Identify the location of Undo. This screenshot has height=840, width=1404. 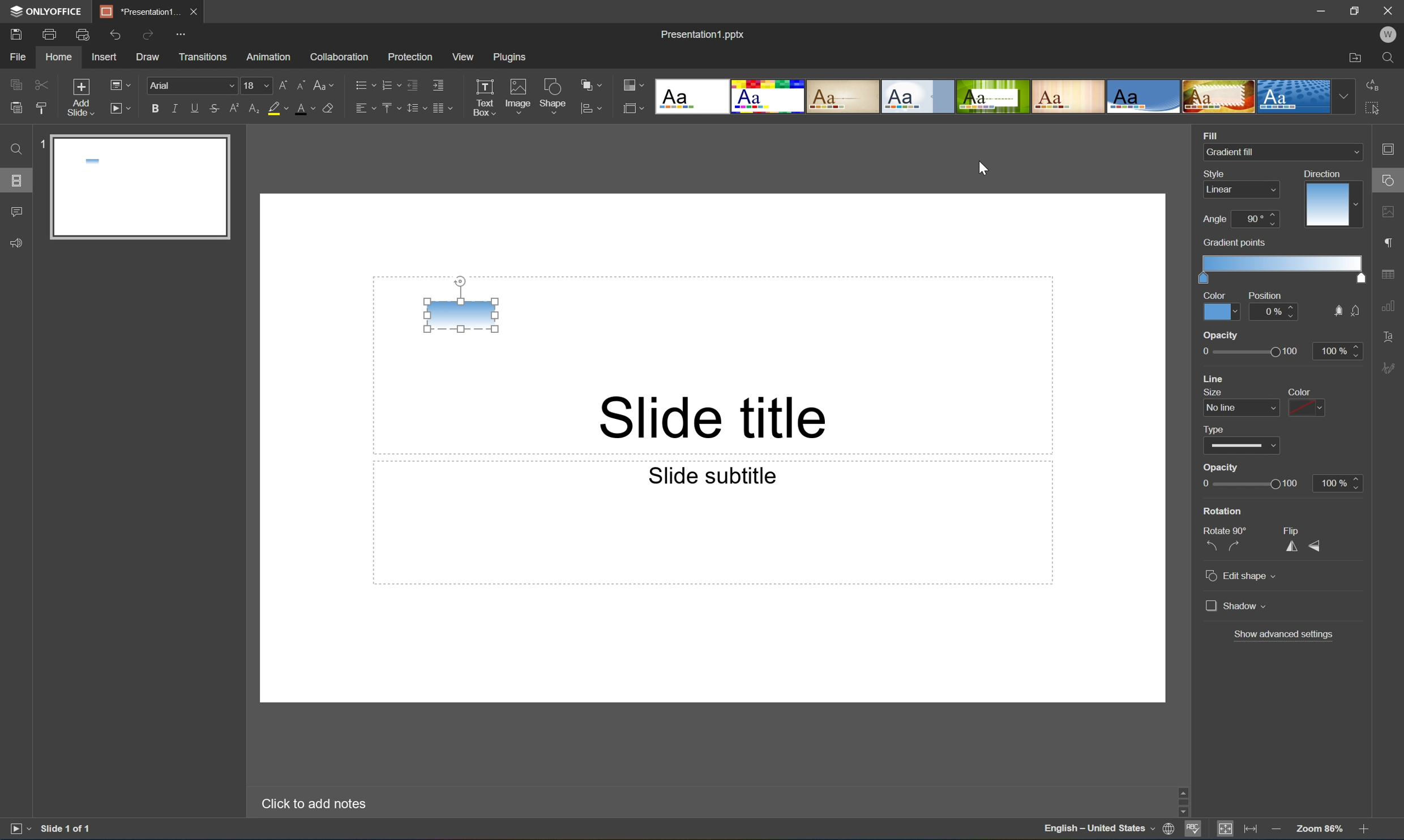
(113, 35).